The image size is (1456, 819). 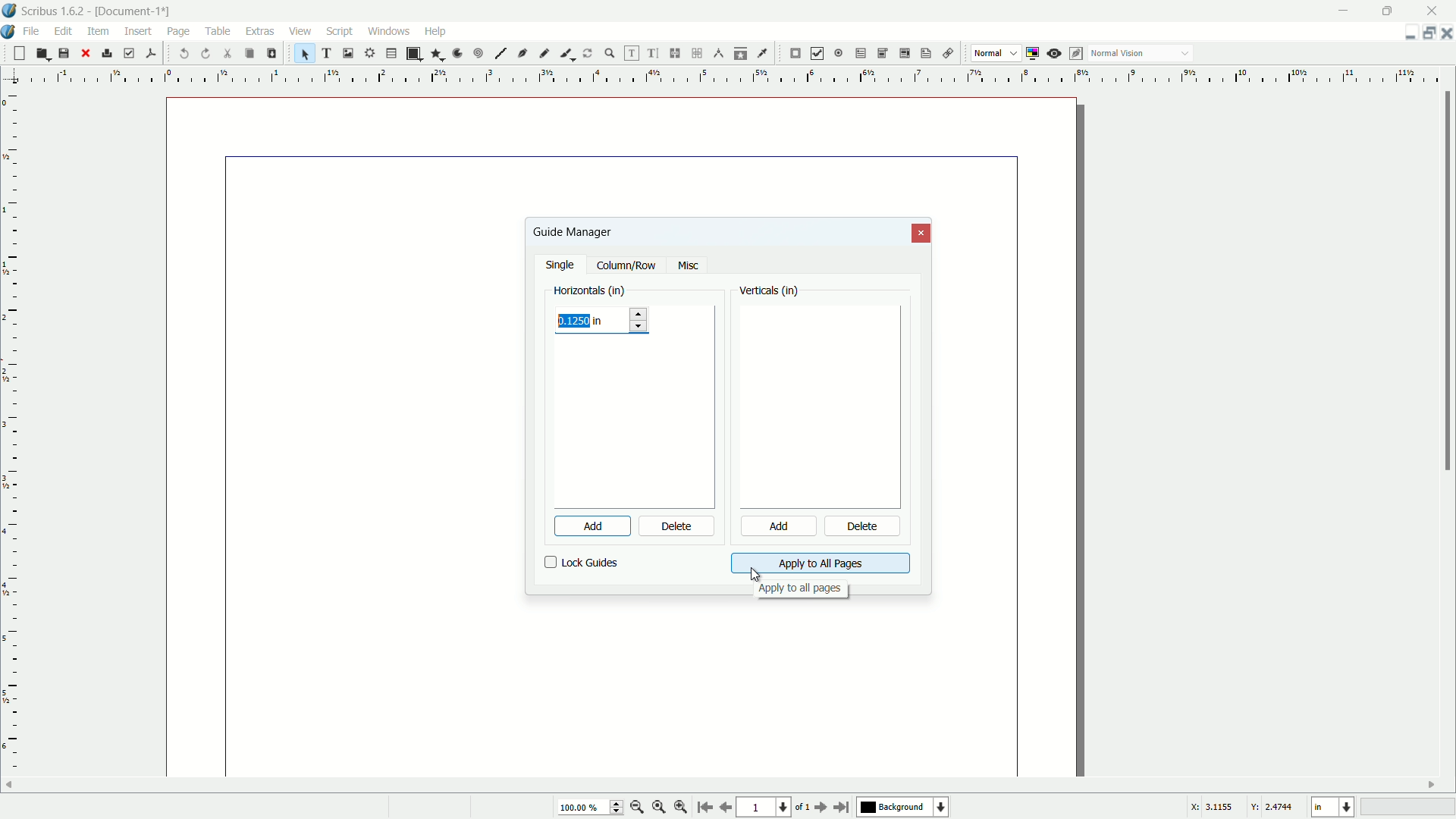 I want to click on scroll bar, so click(x=1447, y=283).